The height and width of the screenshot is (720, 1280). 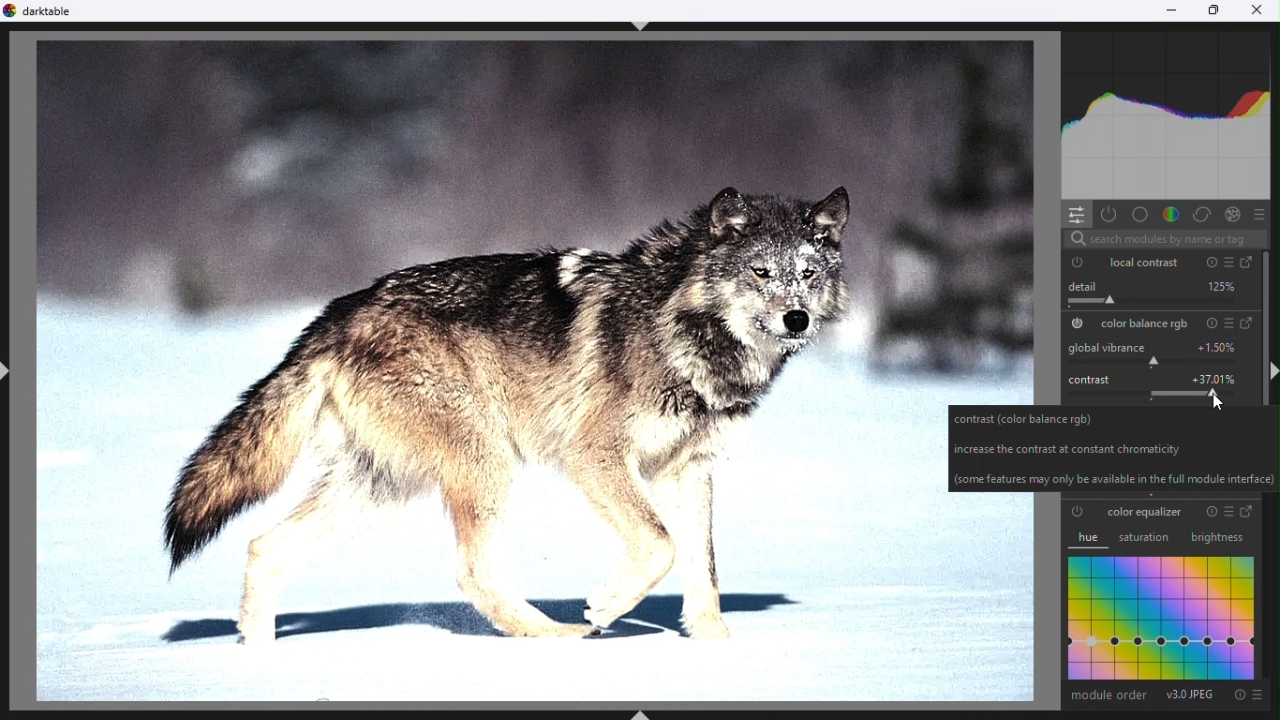 I want to click on darktable logo, so click(x=40, y=12).